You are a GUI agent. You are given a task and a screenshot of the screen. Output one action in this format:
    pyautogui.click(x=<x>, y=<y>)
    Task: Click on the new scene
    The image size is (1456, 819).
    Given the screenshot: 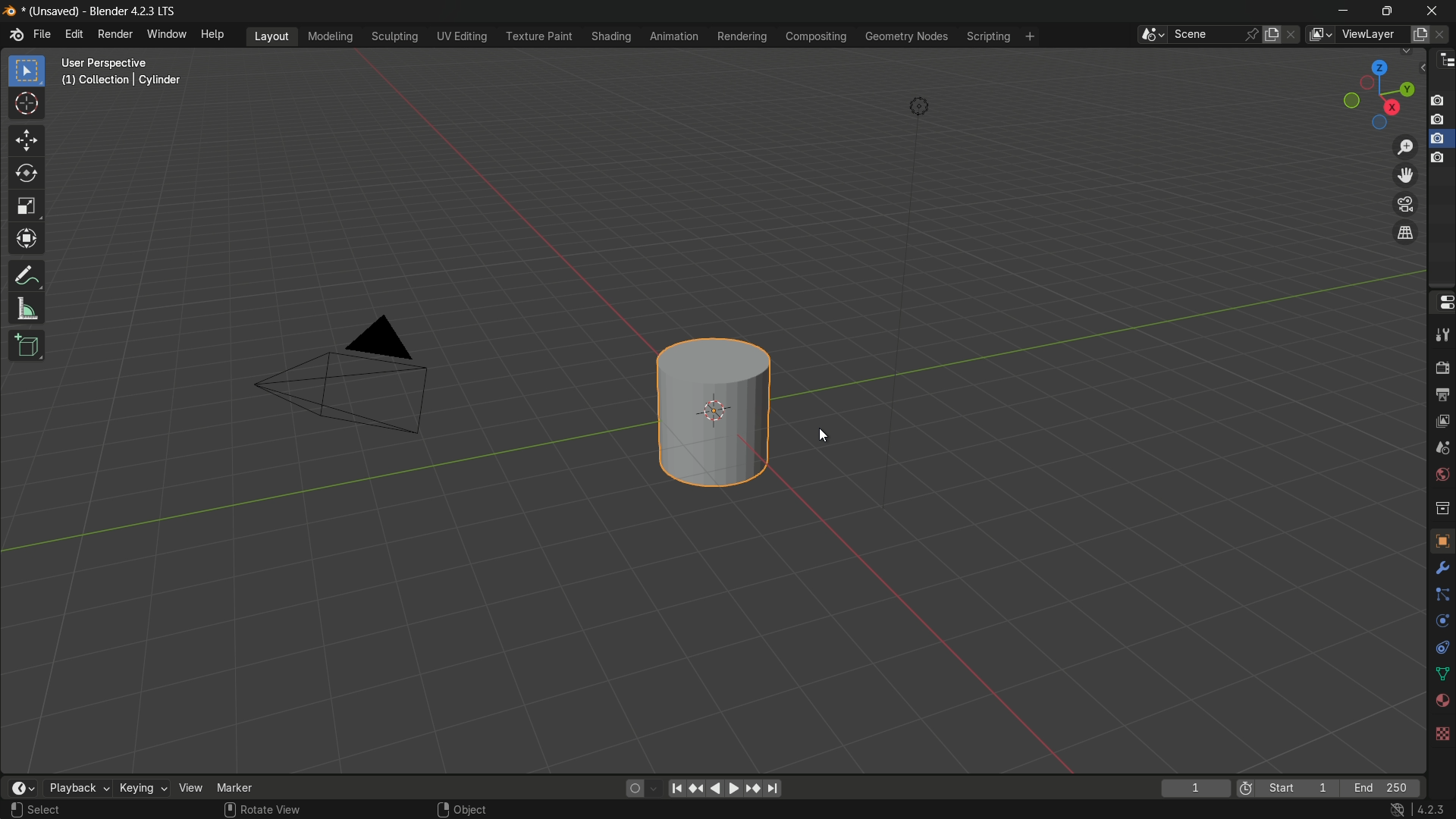 What is the action you would take?
    pyautogui.click(x=1273, y=34)
    